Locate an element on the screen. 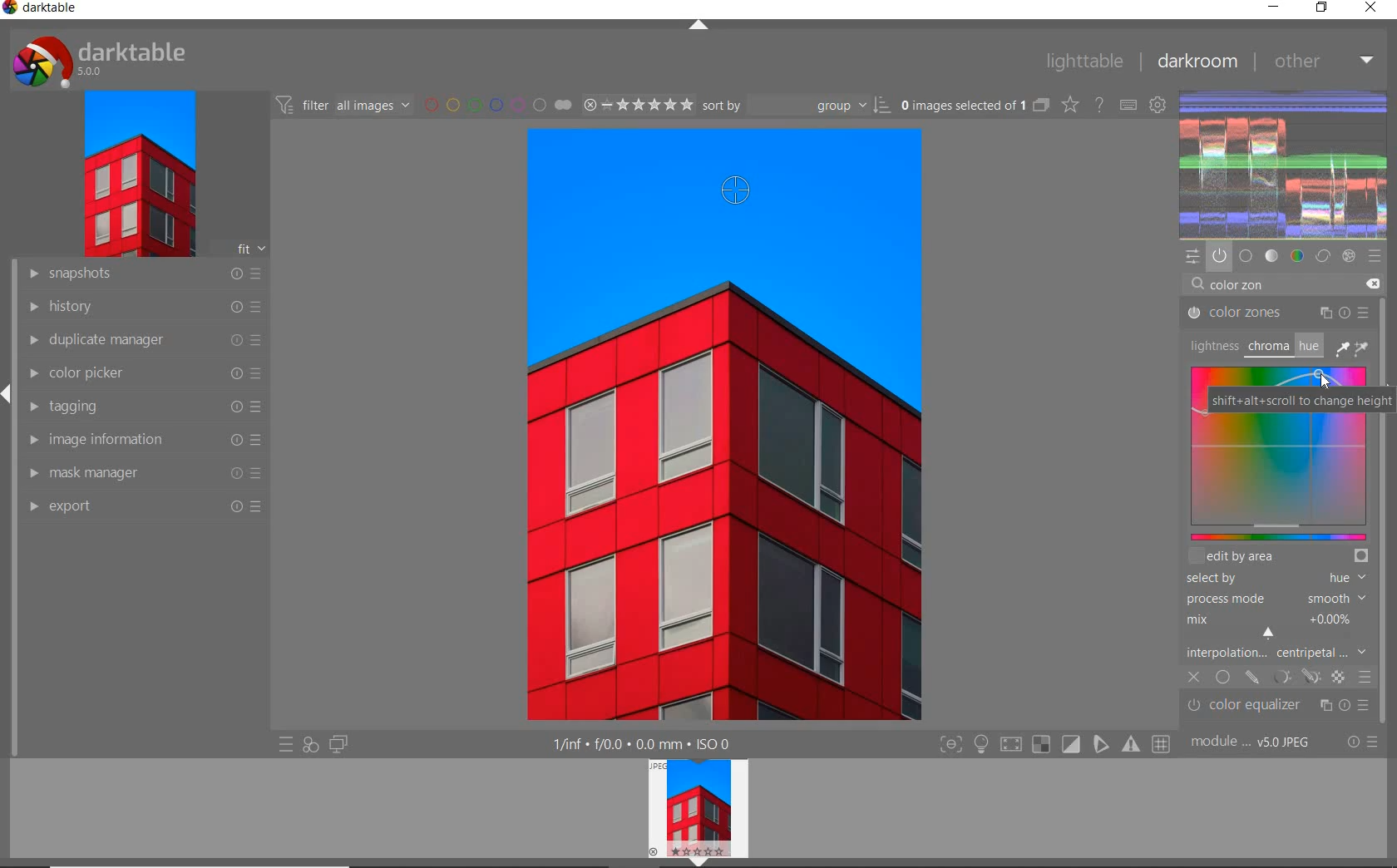  SHIFT+ALT+SCROLL TO CHANGE HEIGHT is located at coordinates (1302, 401).